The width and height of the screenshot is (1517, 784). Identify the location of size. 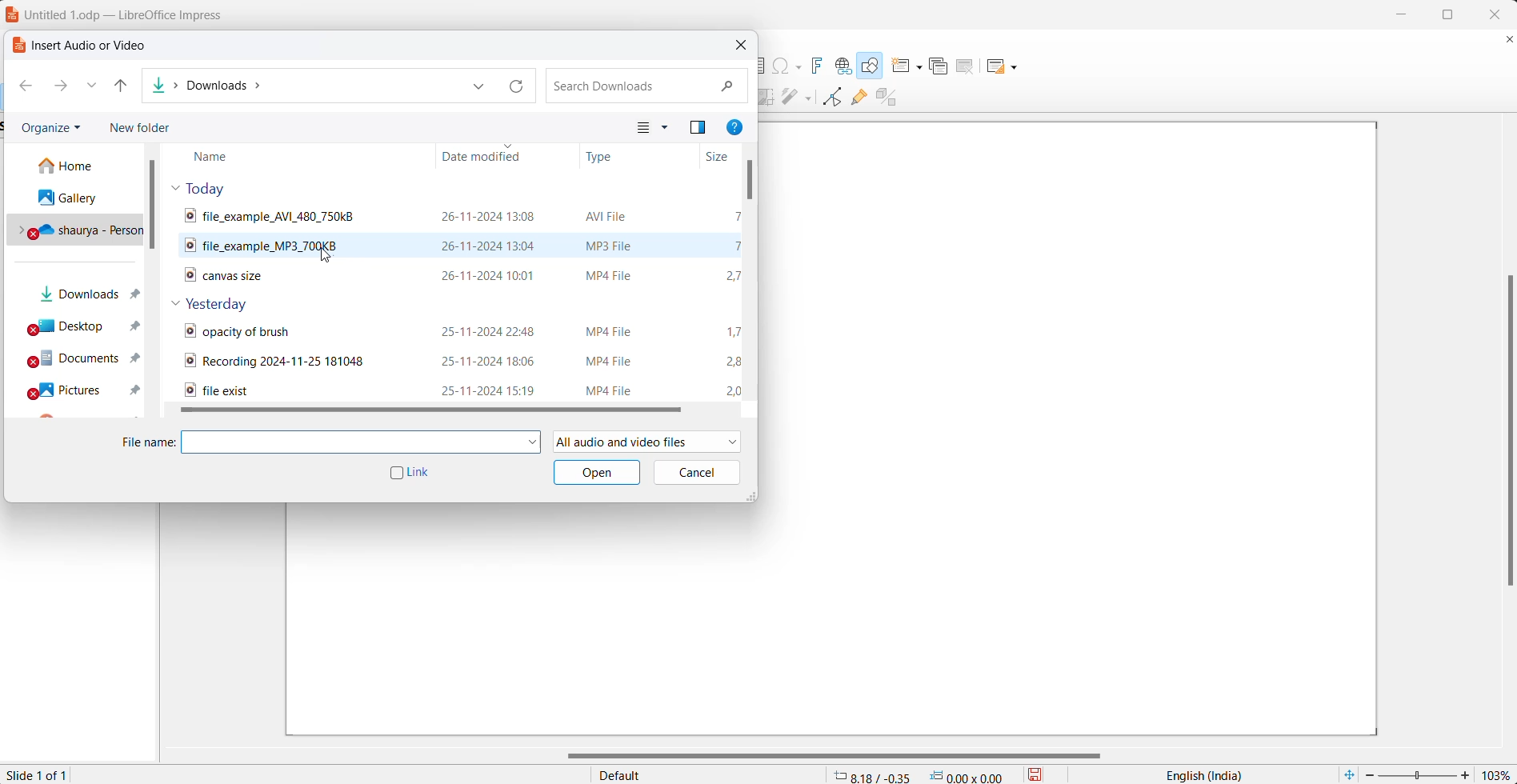
(720, 157).